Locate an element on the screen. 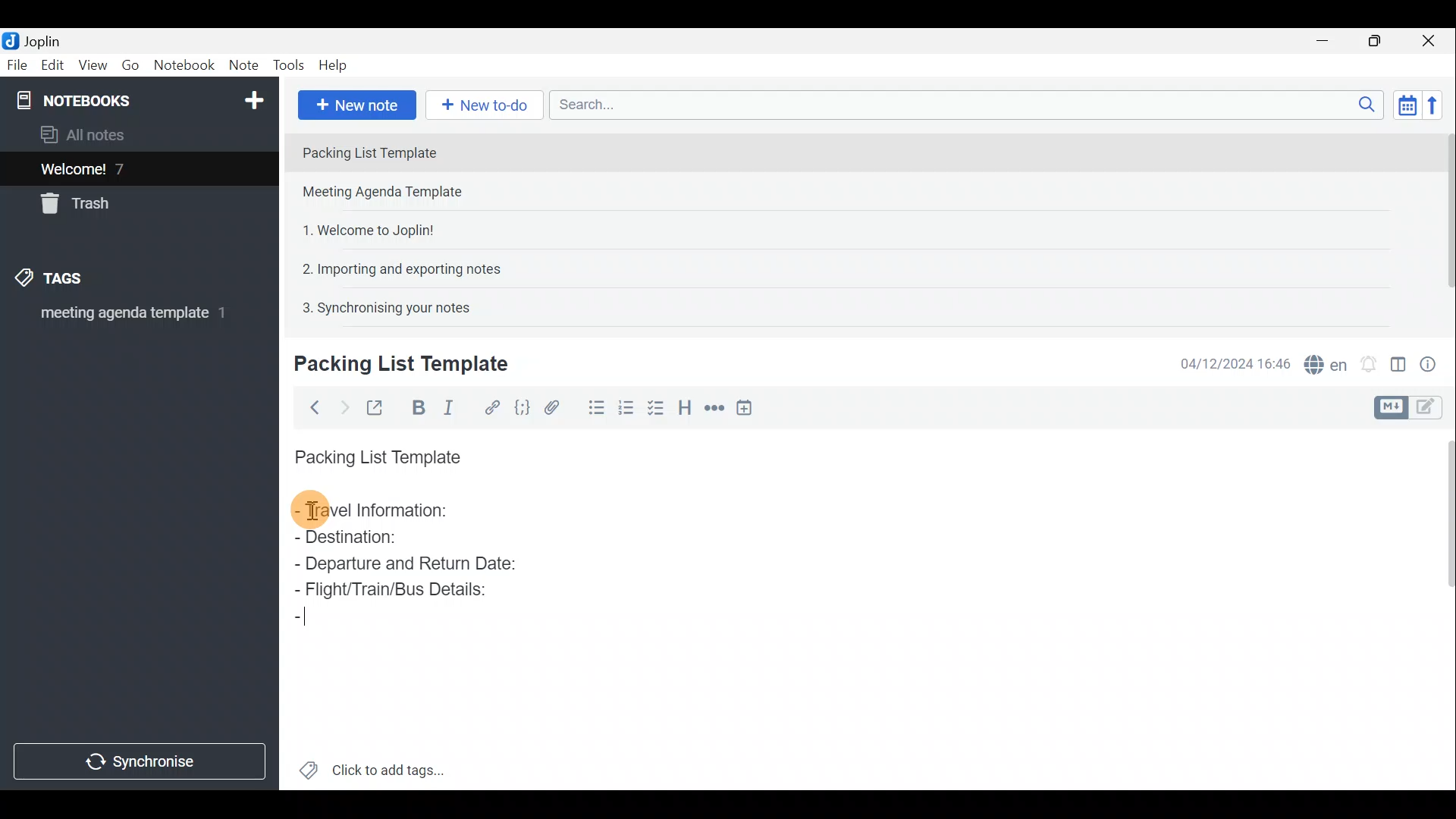 This screenshot has height=819, width=1456. Date & time is located at coordinates (1235, 362).